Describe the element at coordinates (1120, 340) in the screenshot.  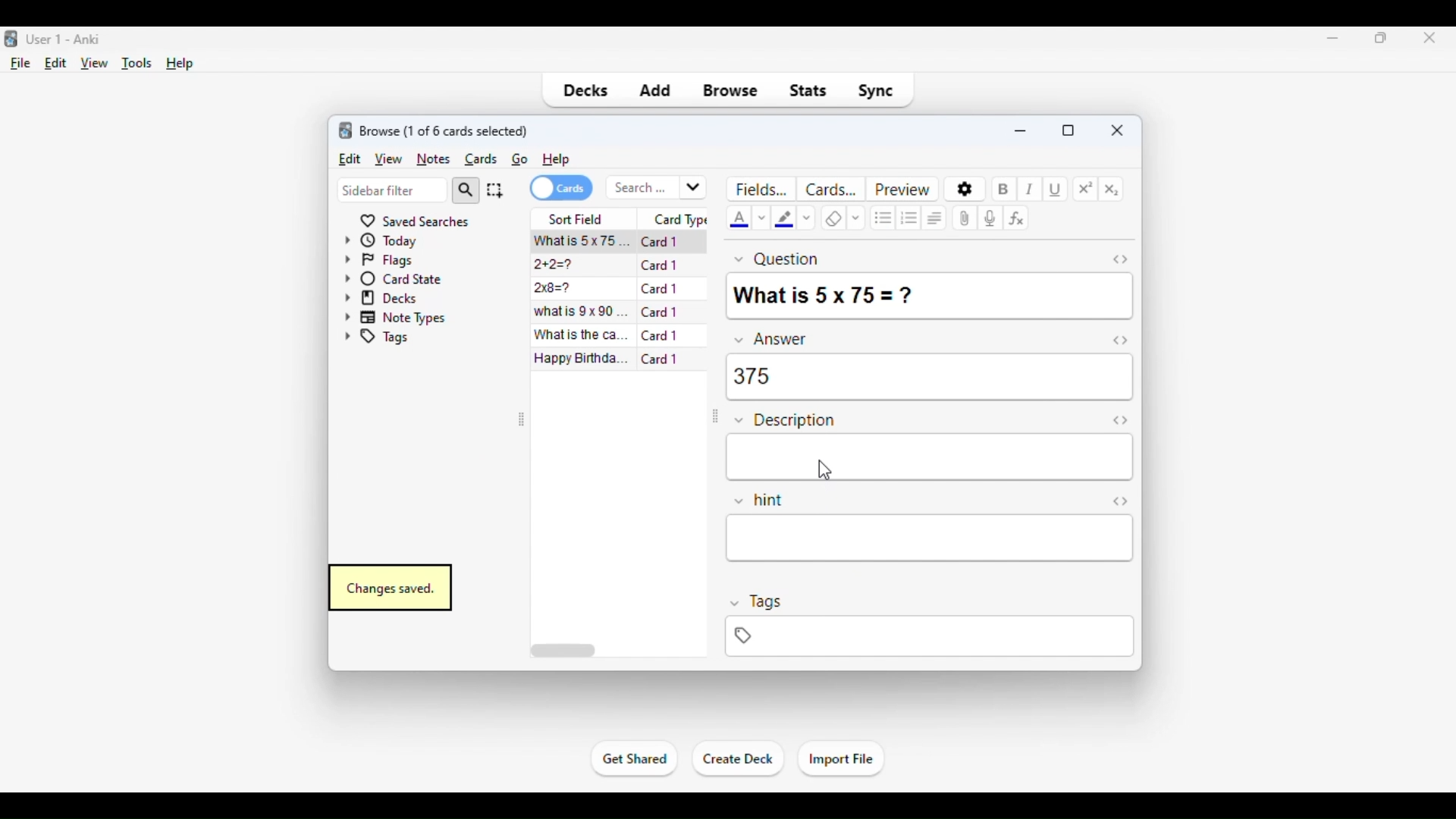
I see `toggle HTML editor` at that location.